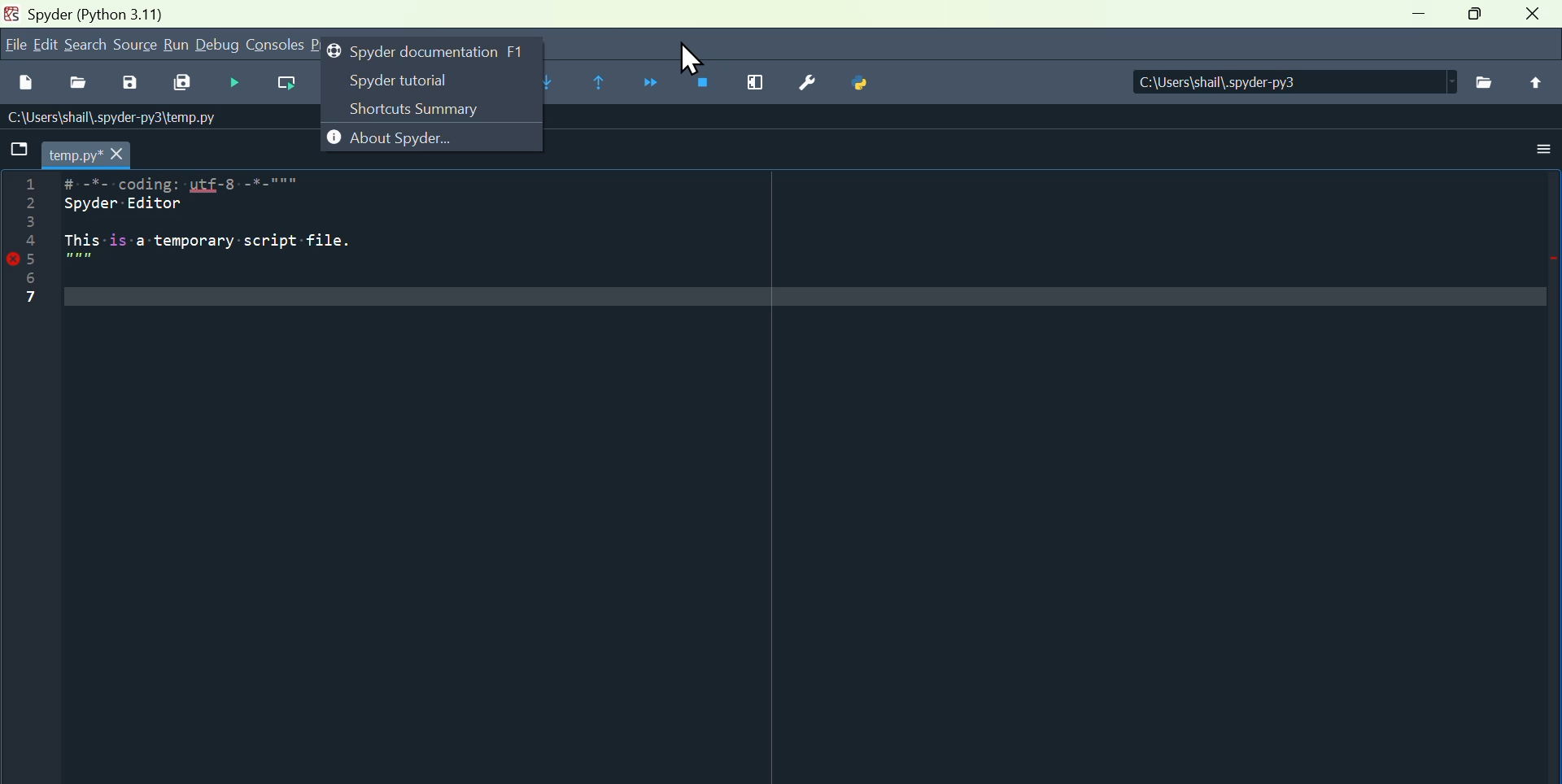 Image resolution: width=1562 pixels, height=784 pixels. What do you see at coordinates (692, 58) in the screenshot?
I see `cursor` at bounding box center [692, 58].